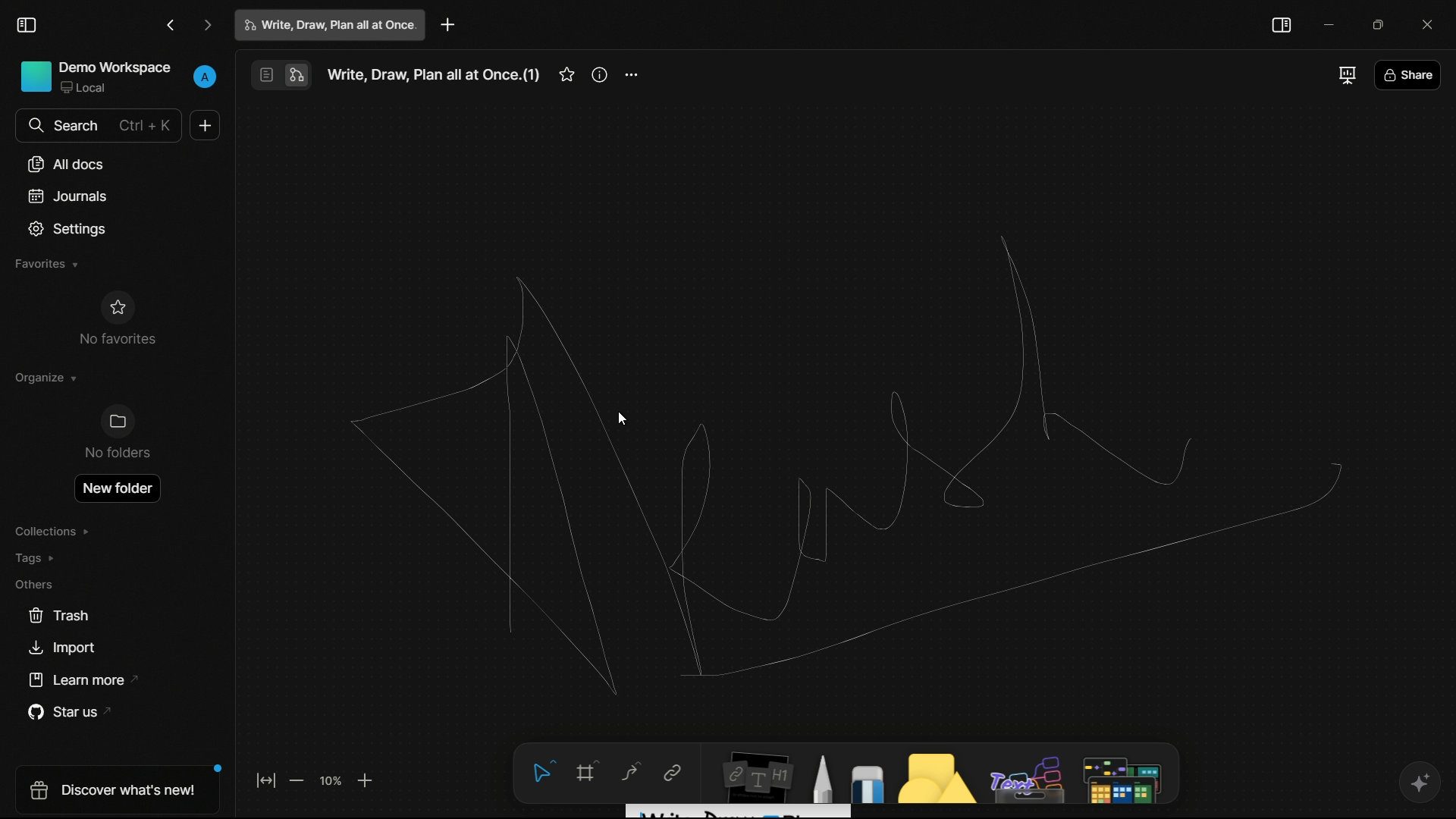  What do you see at coordinates (118, 340) in the screenshot?
I see `No favorites` at bounding box center [118, 340].